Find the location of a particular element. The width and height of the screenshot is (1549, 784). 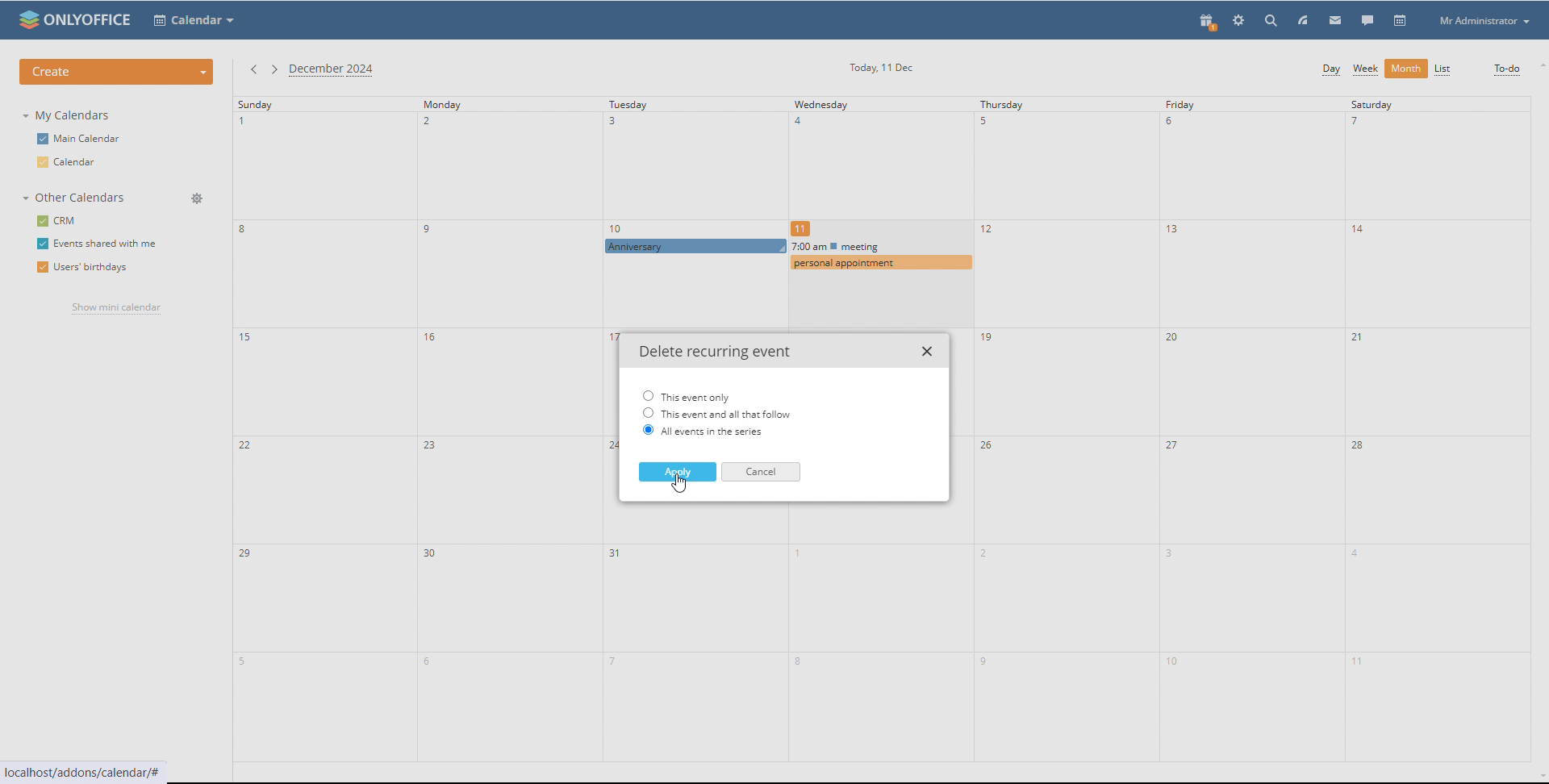

onlyoffice logo is located at coordinates (27, 19).